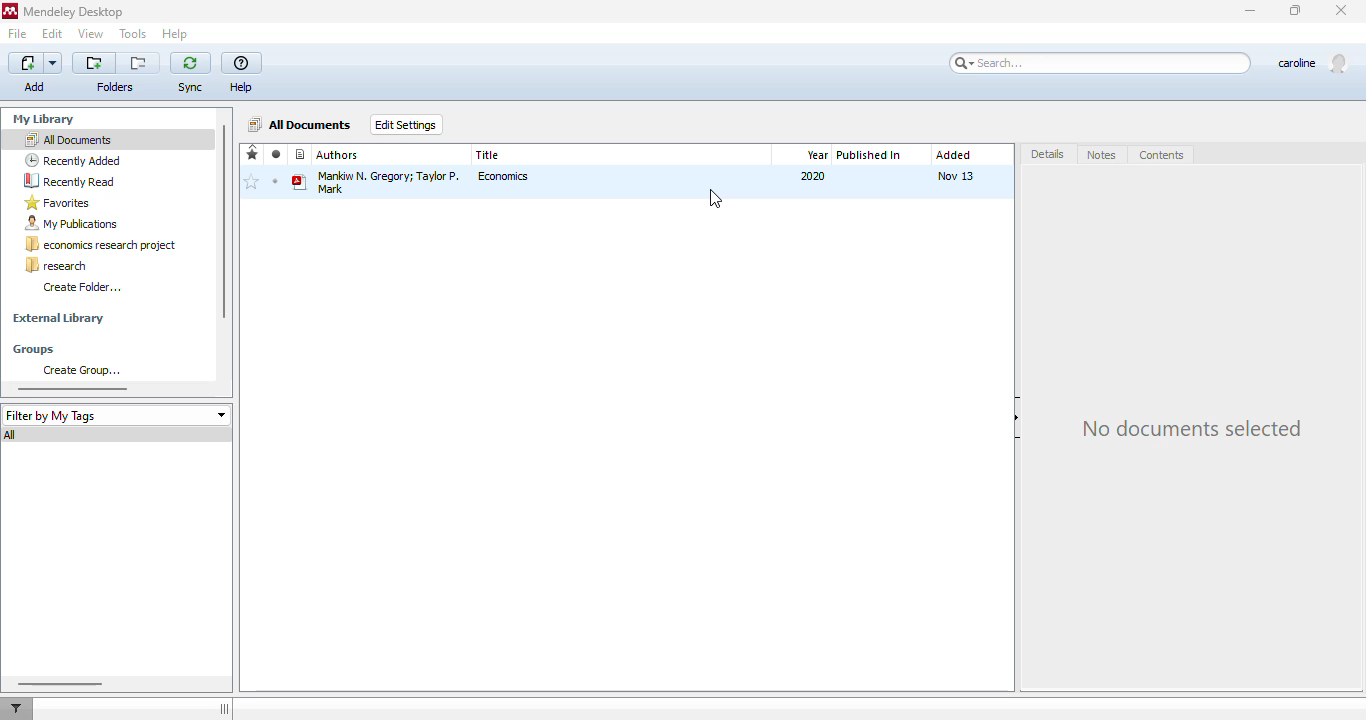 The width and height of the screenshot is (1366, 720). What do you see at coordinates (253, 183) in the screenshot?
I see `add to favorites` at bounding box center [253, 183].